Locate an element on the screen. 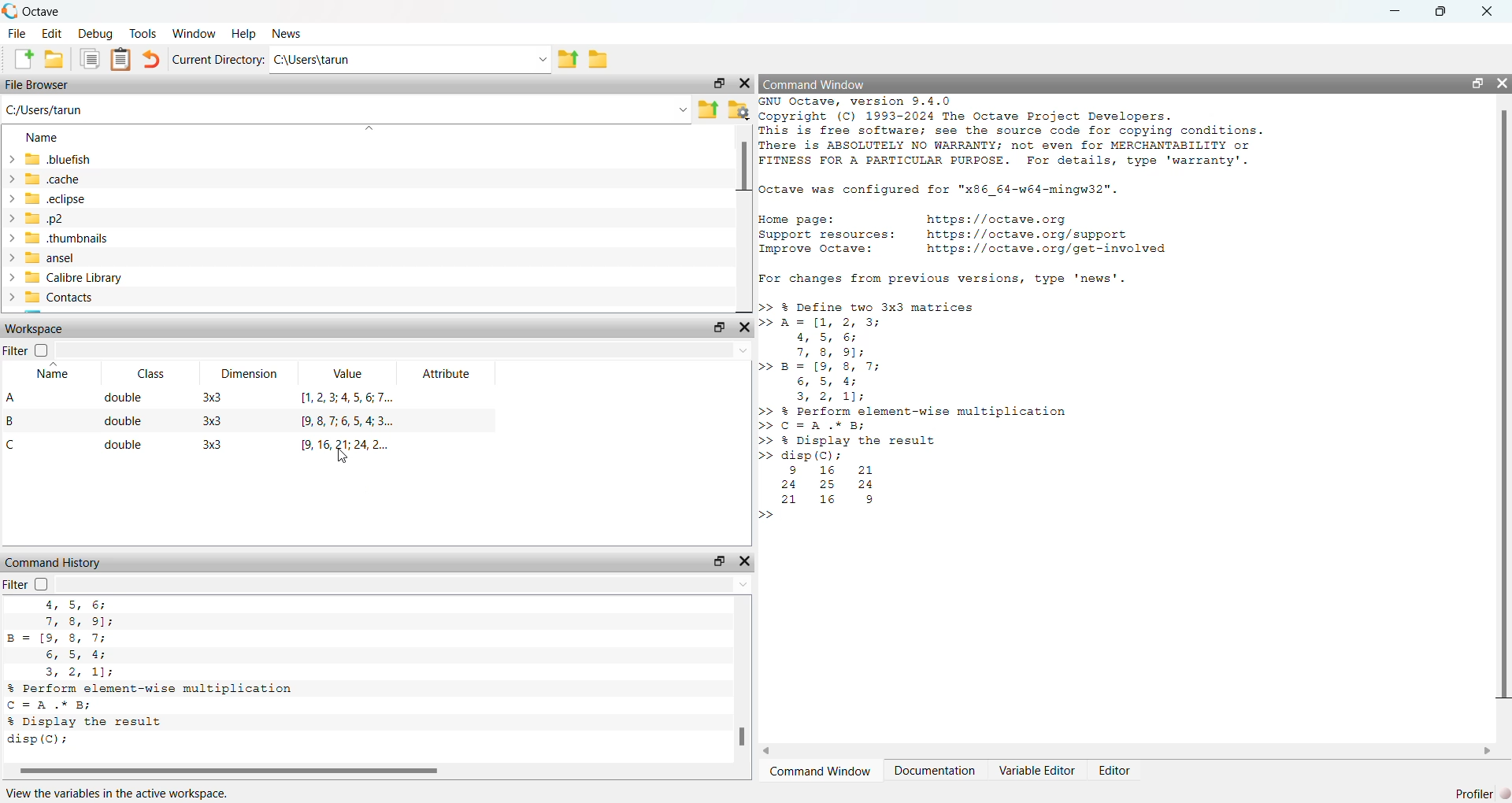 The width and height of the screenshot is (1512, 803). Close is located at coordinates (1501, 82).